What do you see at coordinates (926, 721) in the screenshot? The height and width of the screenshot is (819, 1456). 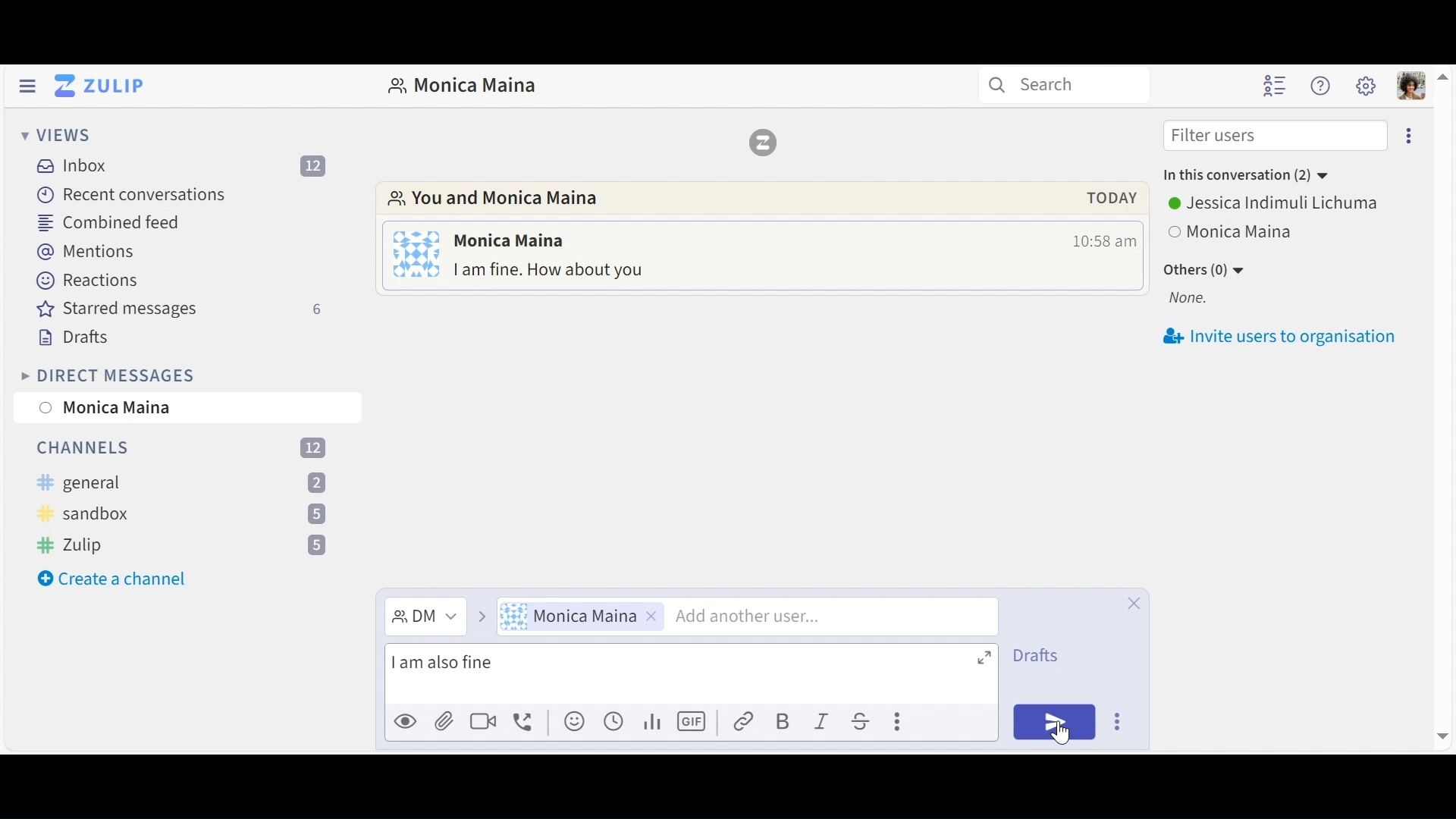 I see `compose actions` at bounding box center [926, 721].